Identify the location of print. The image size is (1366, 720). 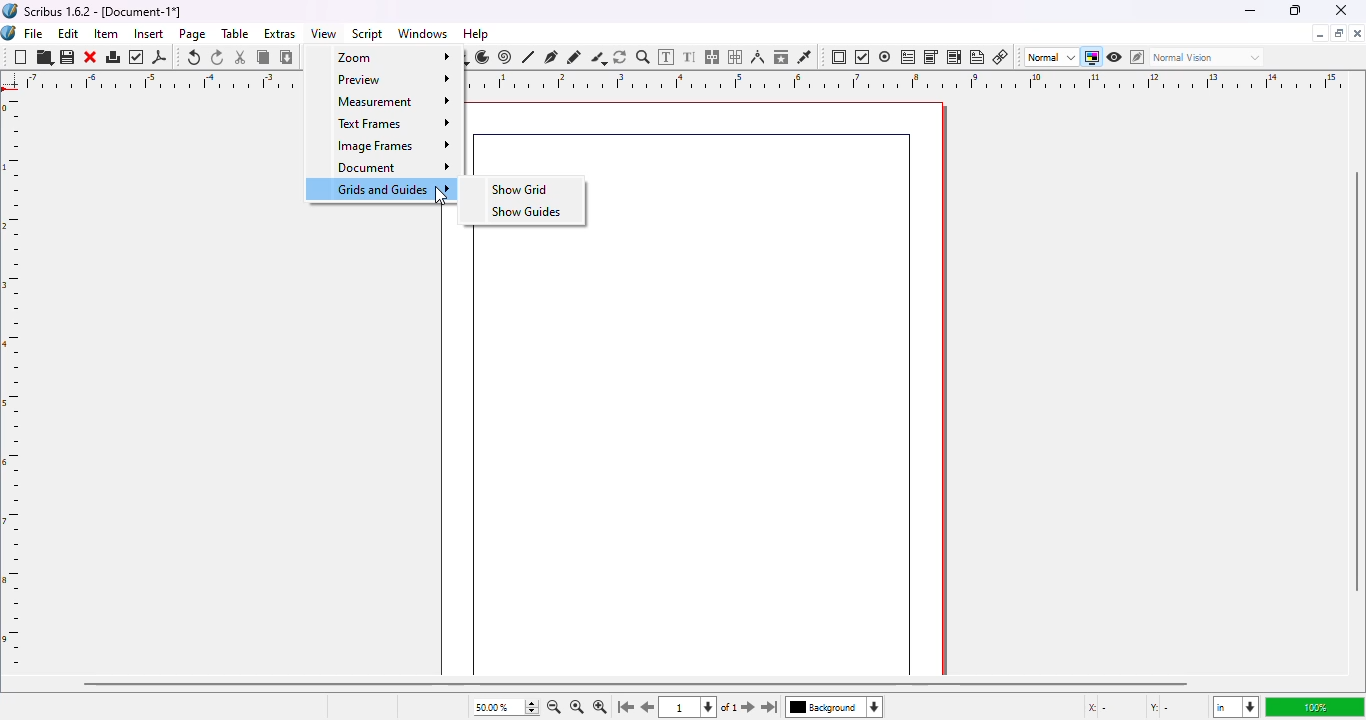
(114, 57).